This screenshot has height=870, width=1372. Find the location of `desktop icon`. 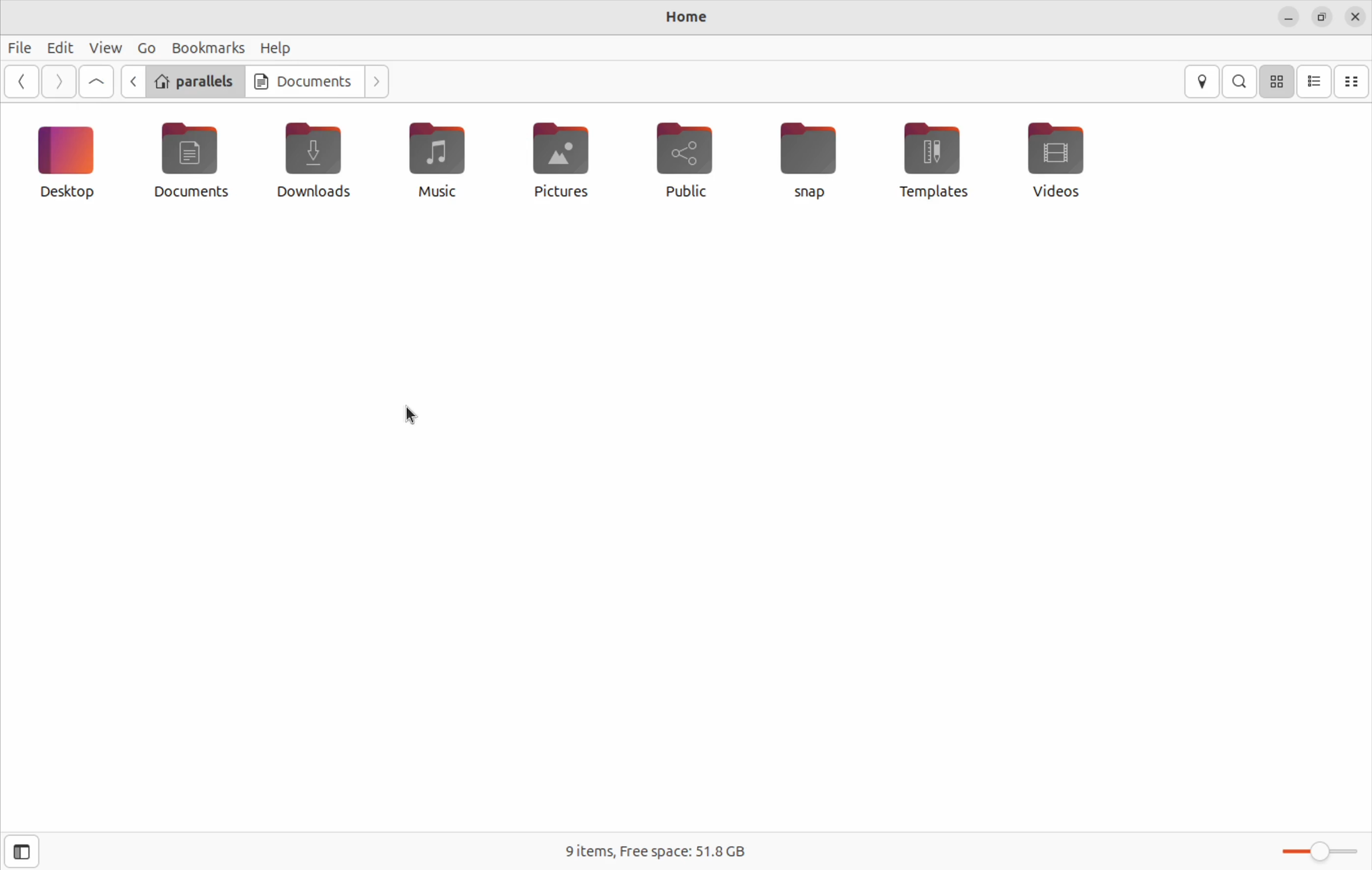

desktop icon is located at coordinates (73, 162).